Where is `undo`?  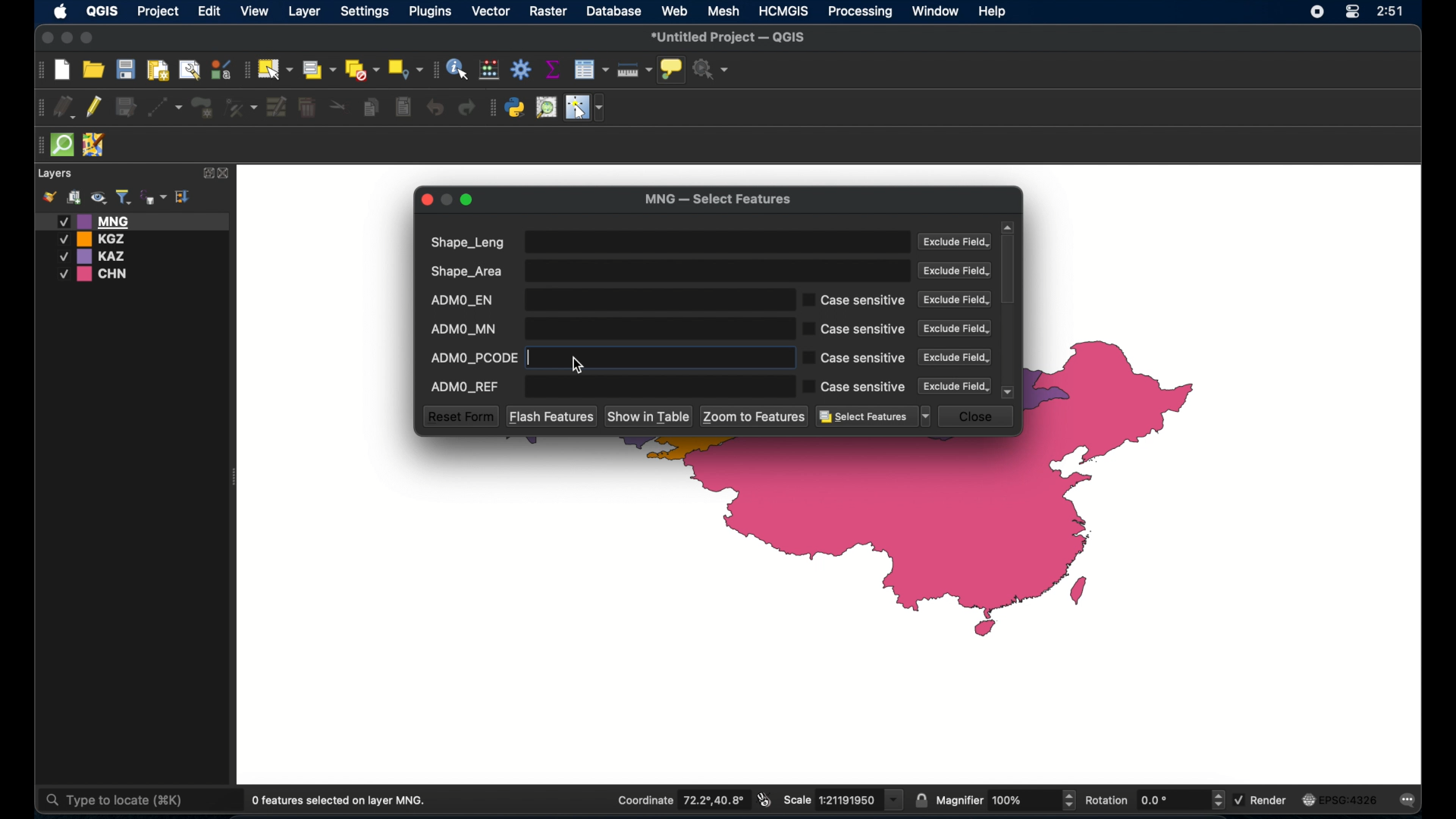
undo is located at coordinates (434, 108).